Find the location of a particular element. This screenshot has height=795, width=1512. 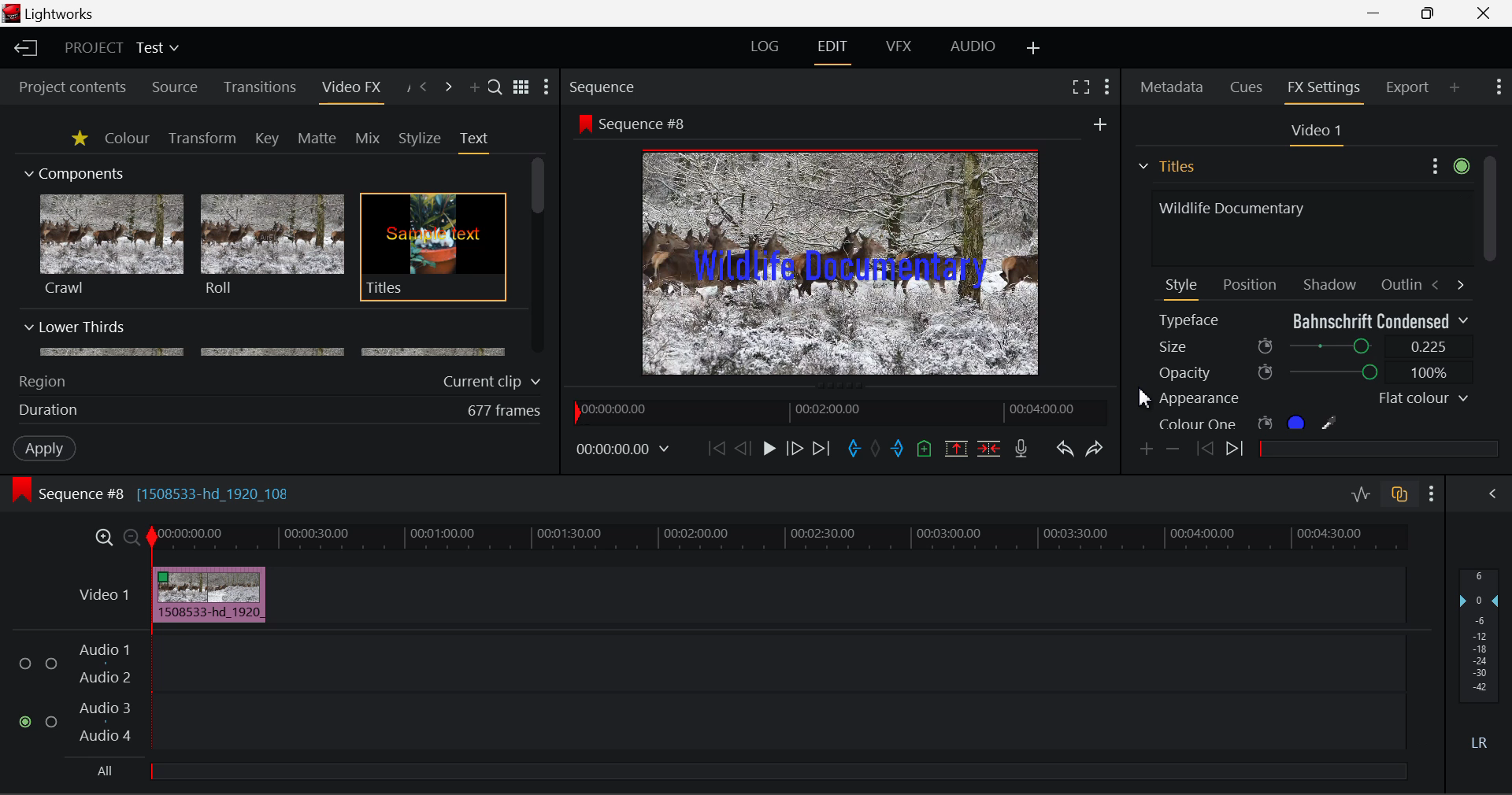

Sequence #8 [1508533-hd_1920_108 is located at coordinates (167, 494).